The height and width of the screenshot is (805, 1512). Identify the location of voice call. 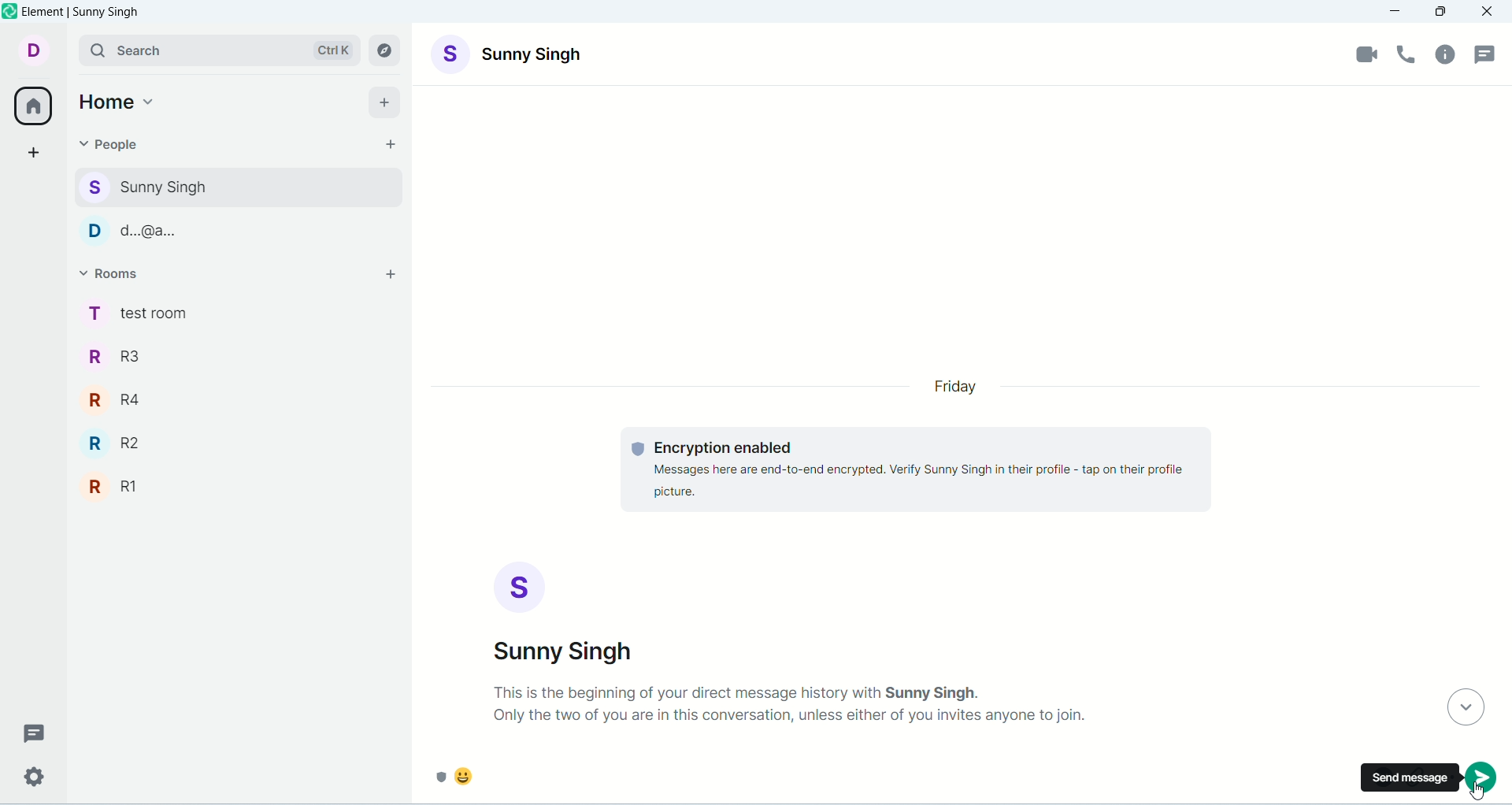
(1410, 57).